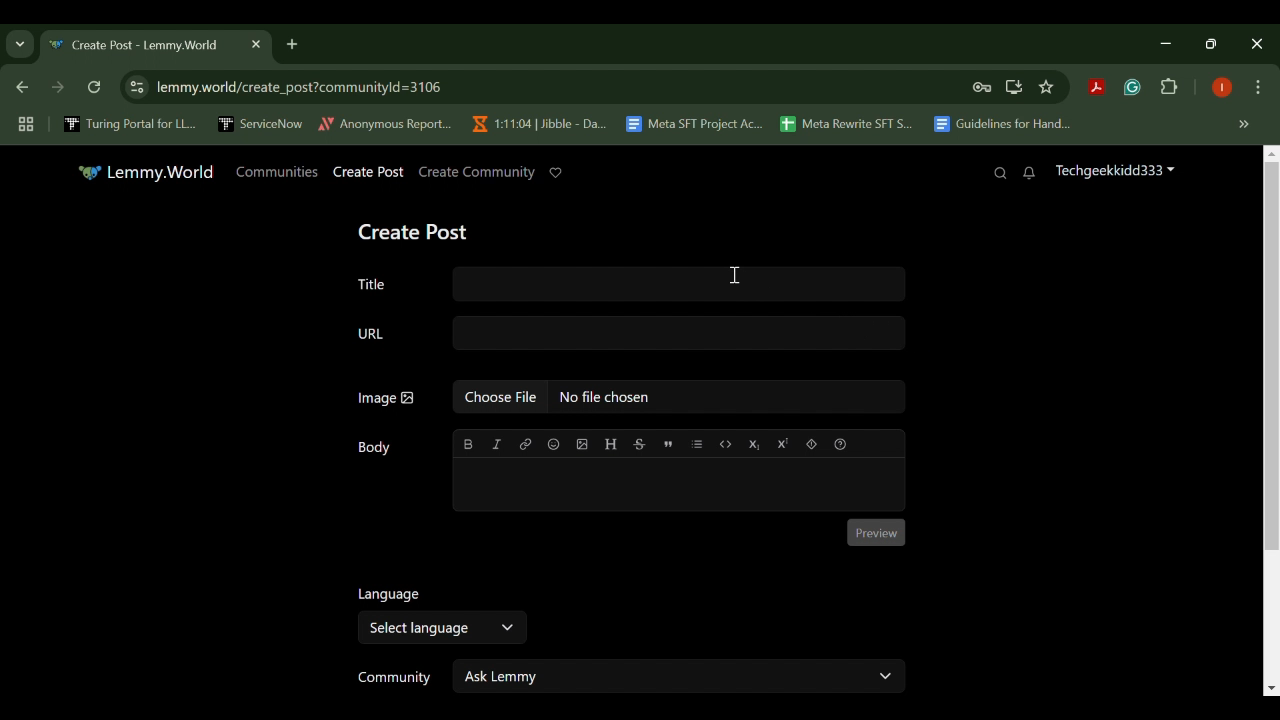 The height and width of the screenshot is (720, 1280). Describe the element at coordinates (1246, 125) in the screenshot. I see `Hidden bookmarks` at that location.